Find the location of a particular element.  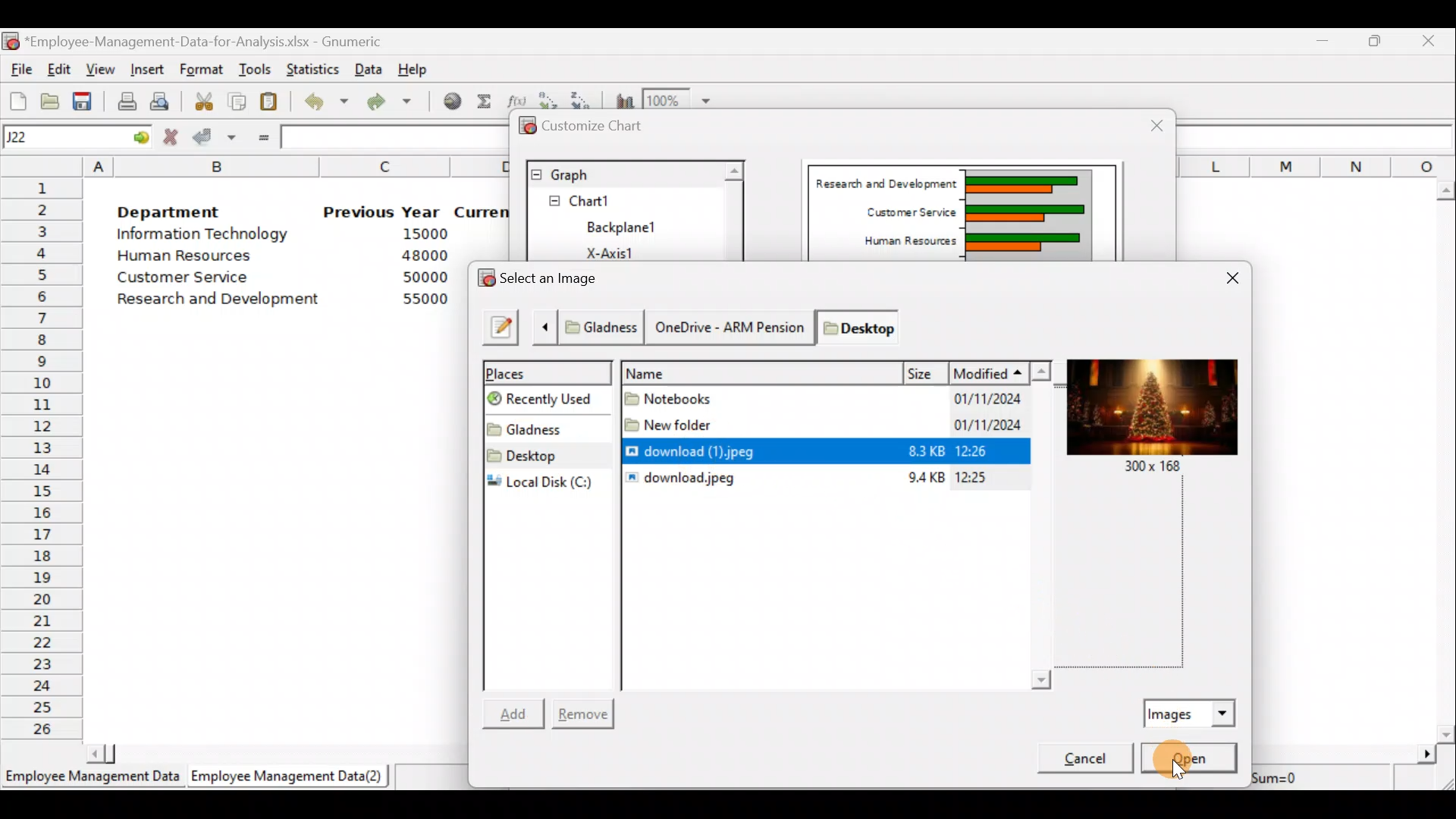

Sort in descending order is located at coordinates (584, 96).